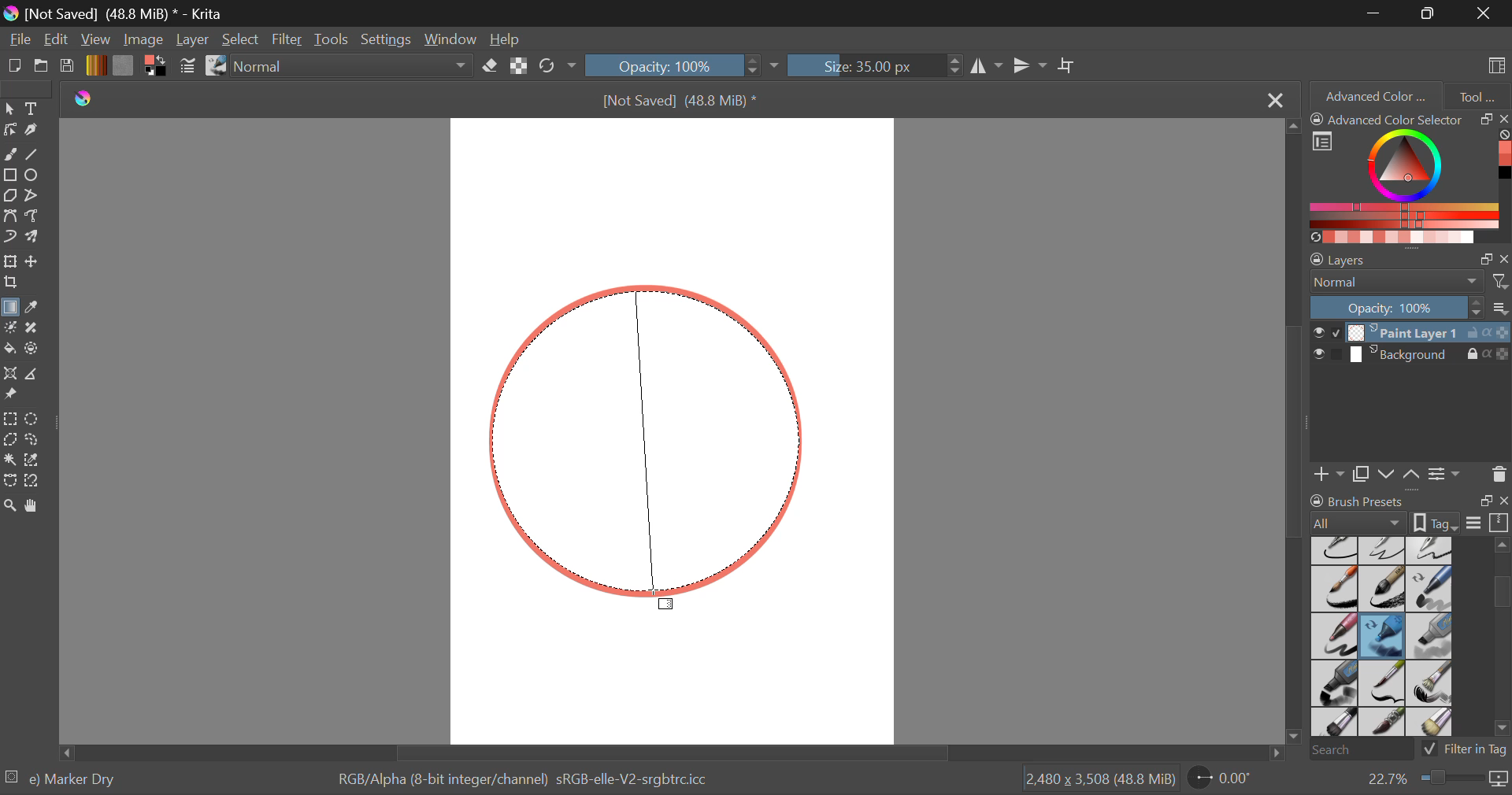  What do you see at coordinates (68, 67) in the screenshot?
I see `Save` at bounding box center [68, 67].